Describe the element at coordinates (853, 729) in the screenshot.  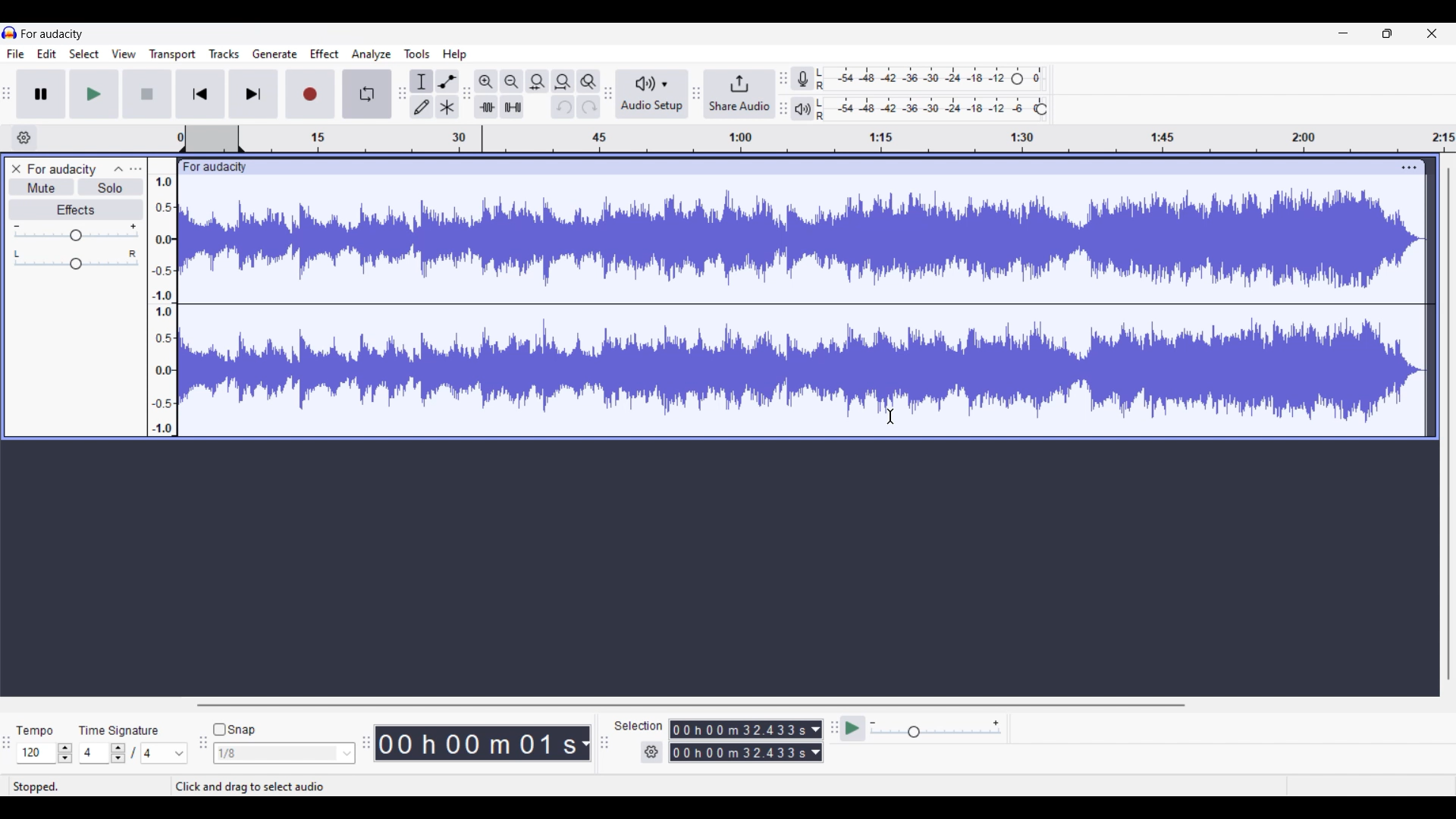
I see `Play at speed/Play at speed once` at that location.